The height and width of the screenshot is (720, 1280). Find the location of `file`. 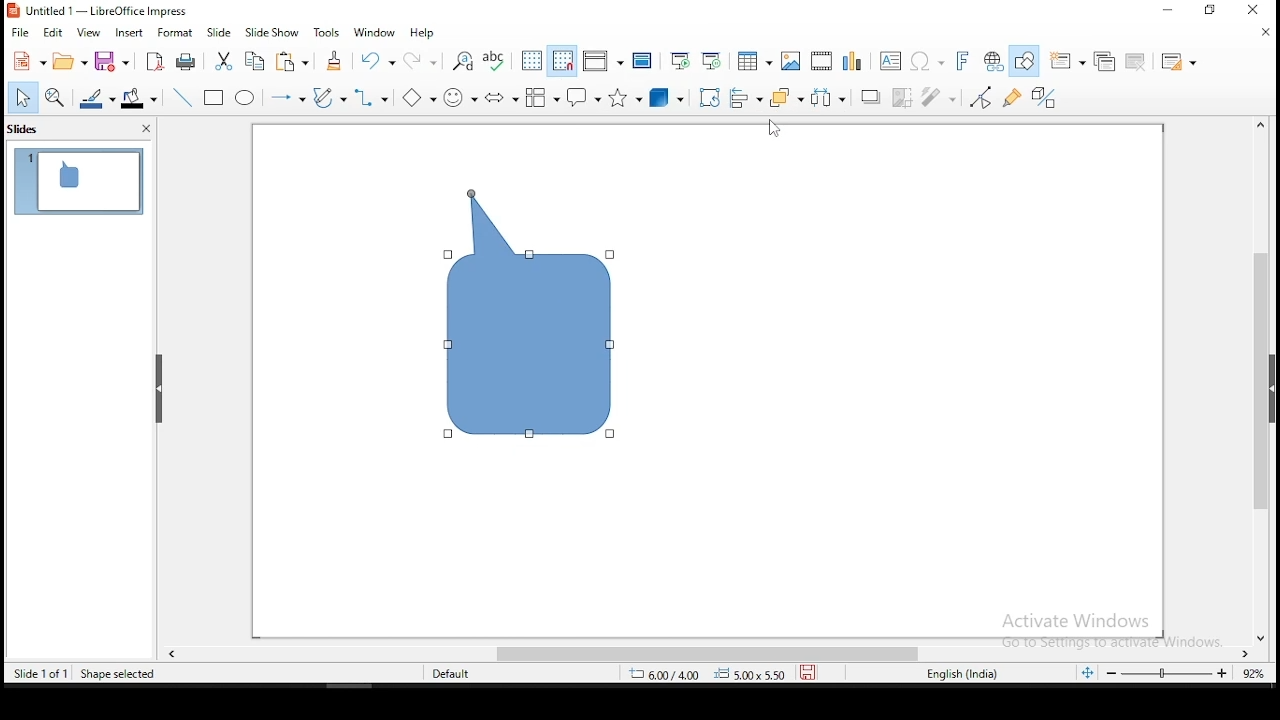

file is located at coordinates (19, 32).